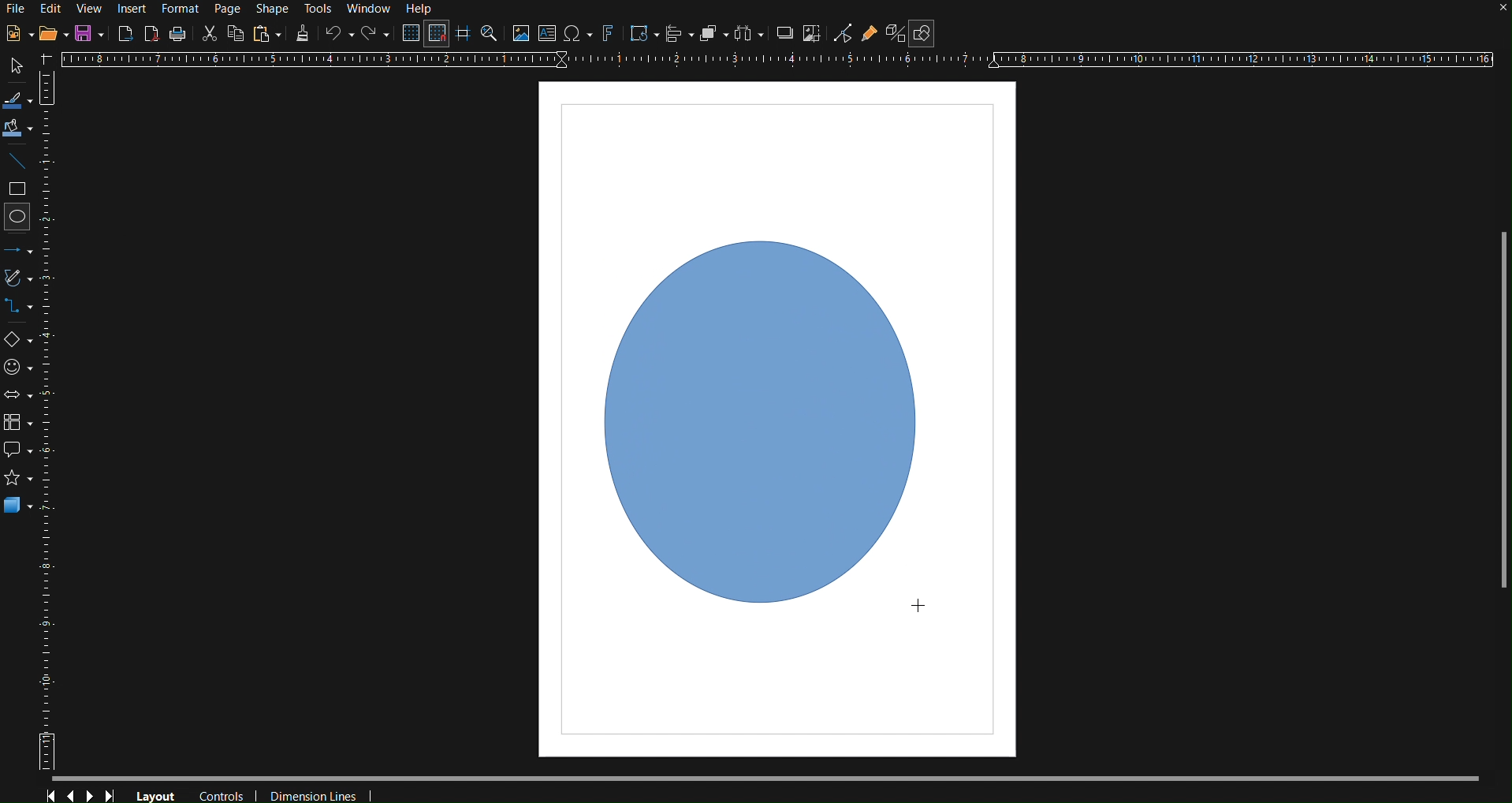 Image resolution: width=1512 pixels, height=803 pixels. I want to click on Transformations, so click(642, 35).